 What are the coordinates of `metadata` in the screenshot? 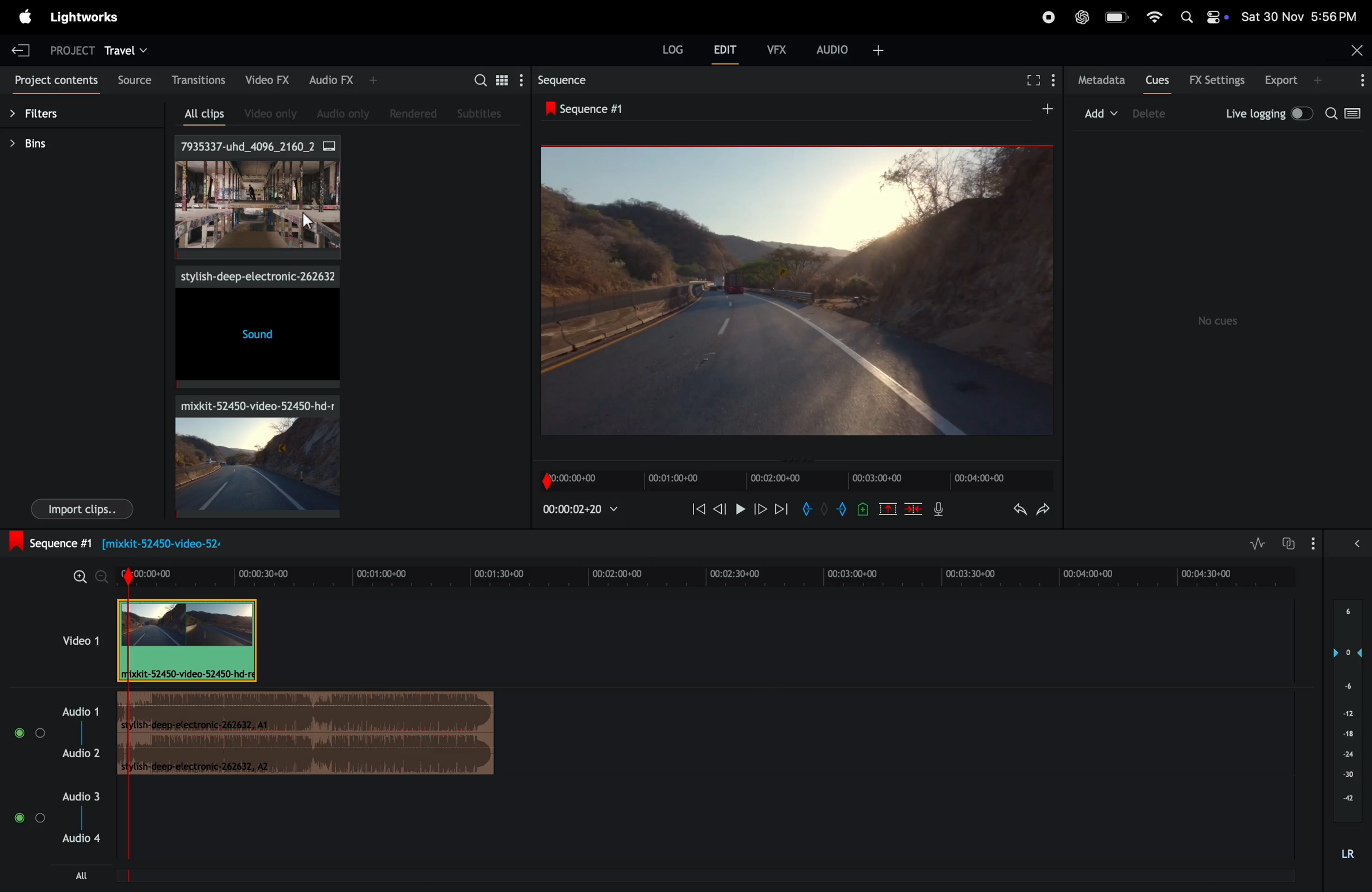 It's located at (1100, 80).